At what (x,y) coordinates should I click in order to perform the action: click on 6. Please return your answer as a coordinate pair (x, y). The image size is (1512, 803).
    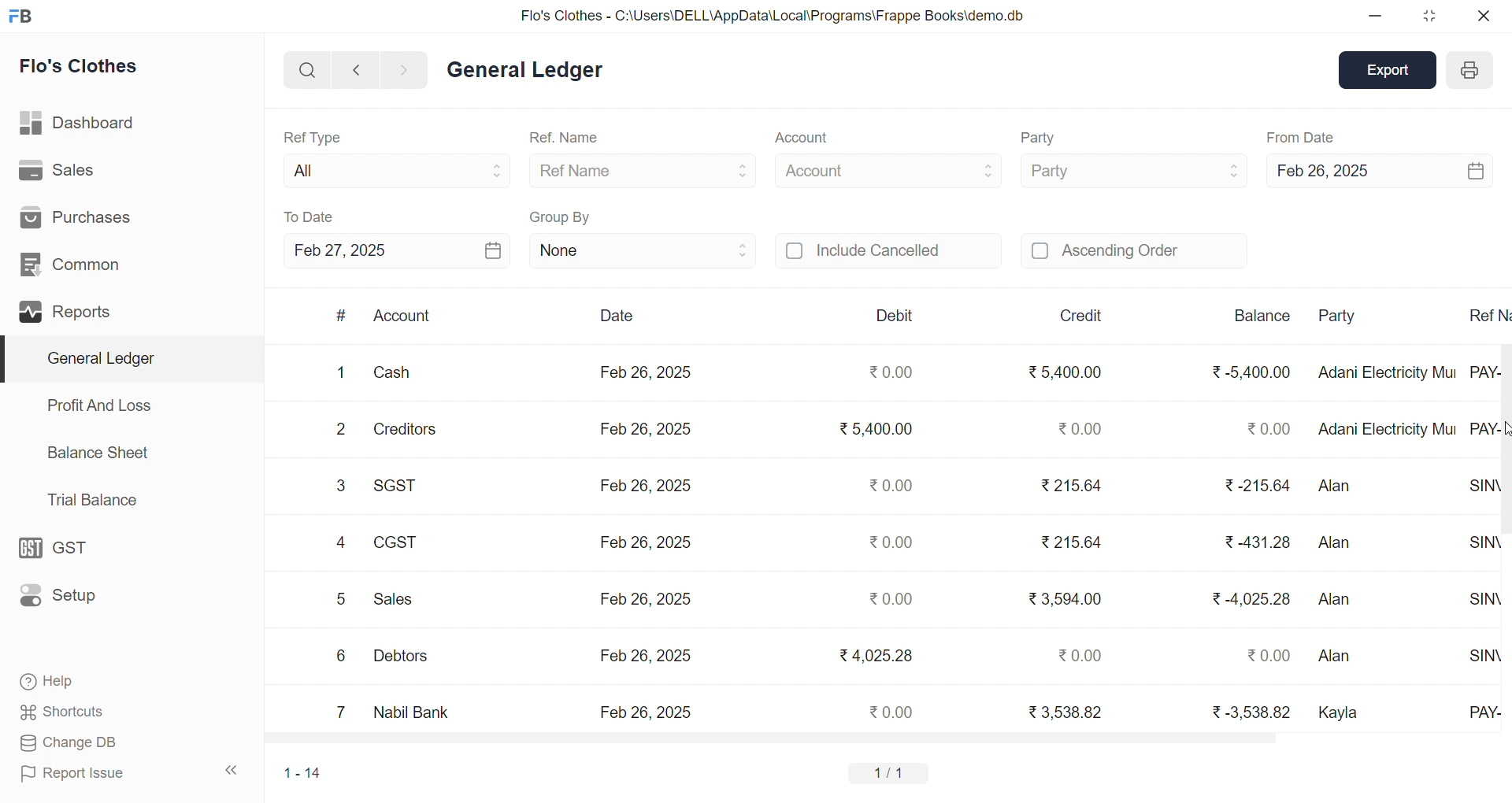
    Looking at the image, I should click on (339, 656).